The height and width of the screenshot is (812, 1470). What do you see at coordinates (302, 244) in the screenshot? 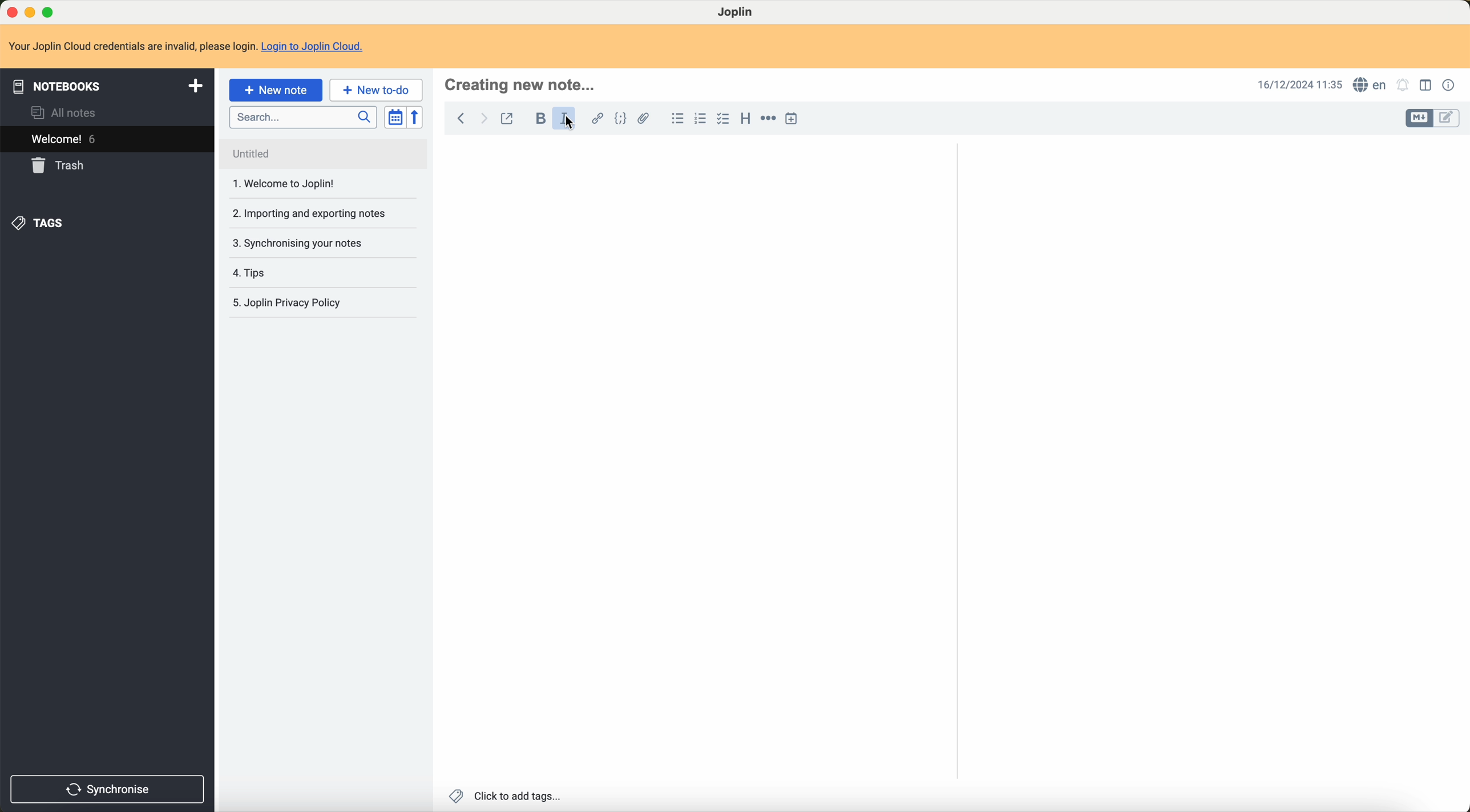
I see `3. Synchronising your notes` at bounding box center [302, 244].